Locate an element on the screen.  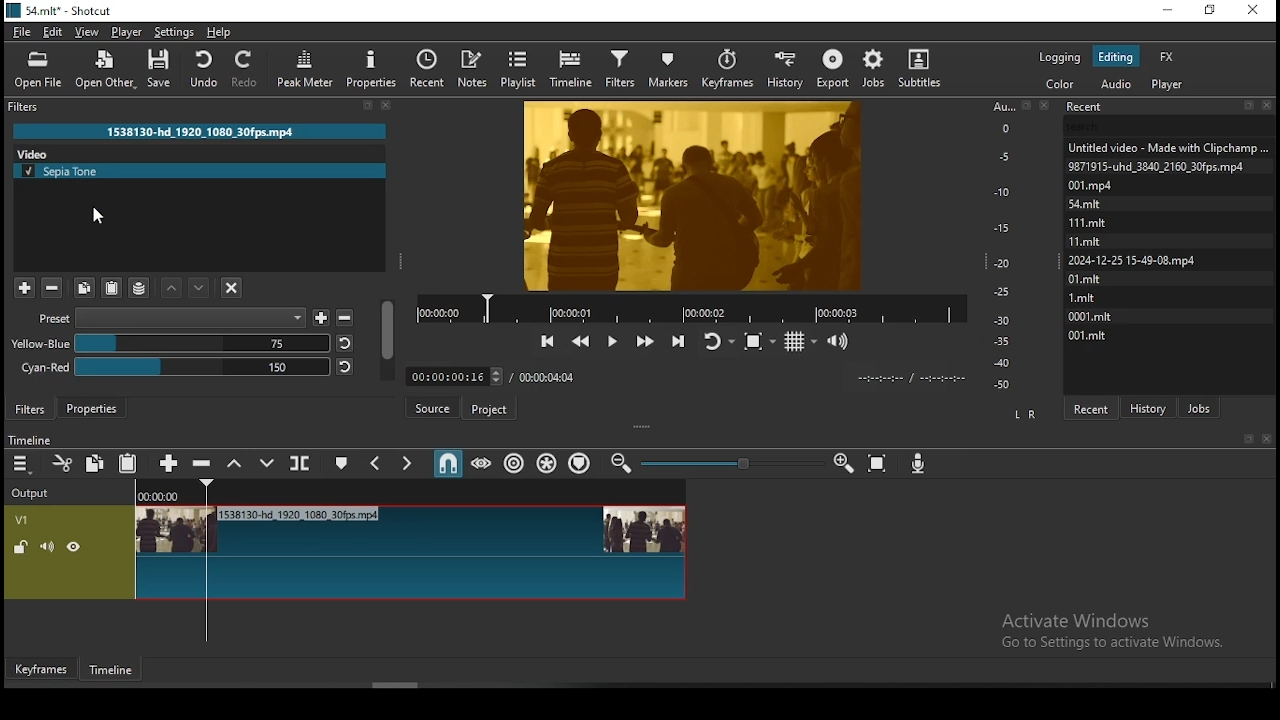
111.Mmit is located at coordinates (1089, 221).